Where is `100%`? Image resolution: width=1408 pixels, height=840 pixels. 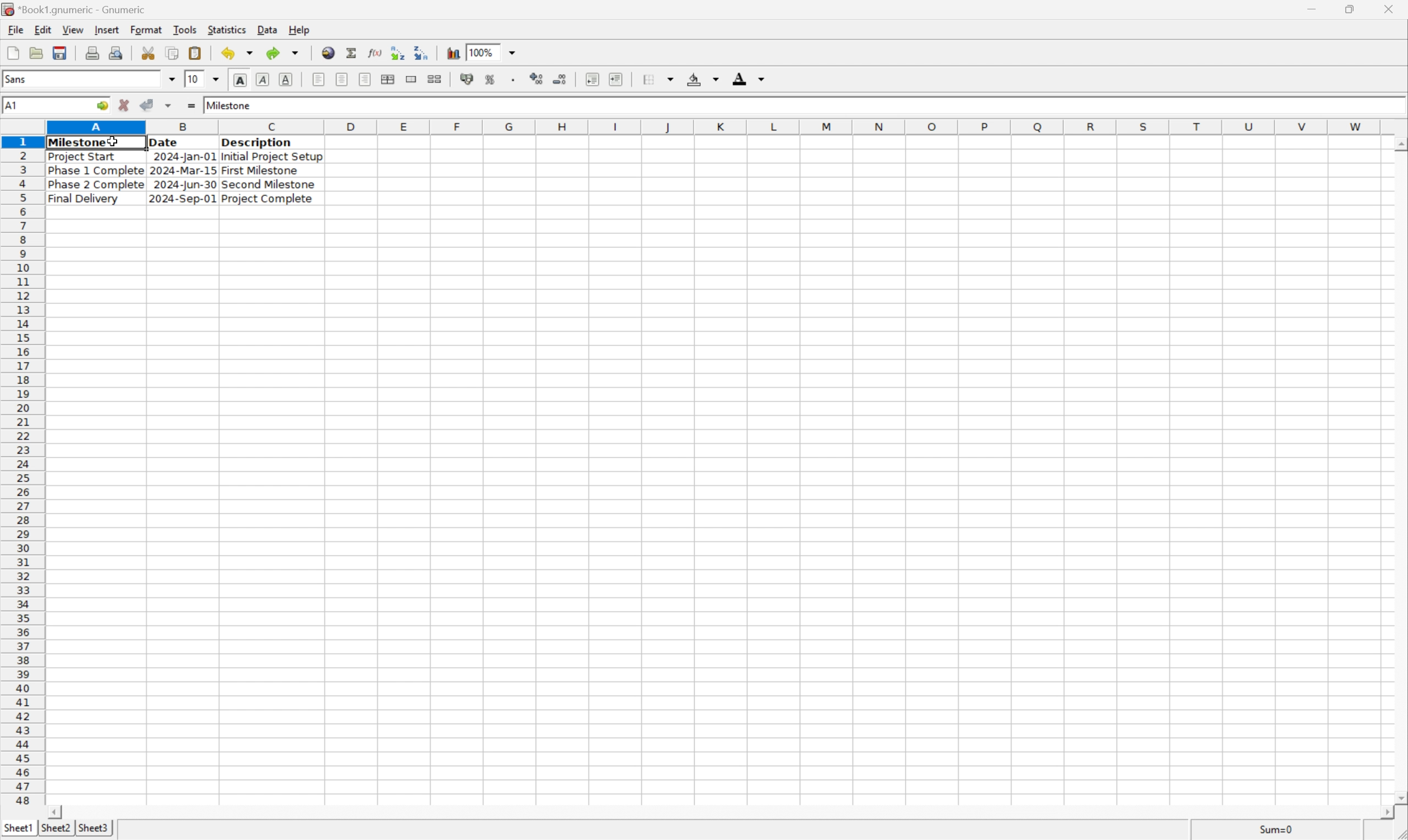
100% is located at coordinates (483, 50).